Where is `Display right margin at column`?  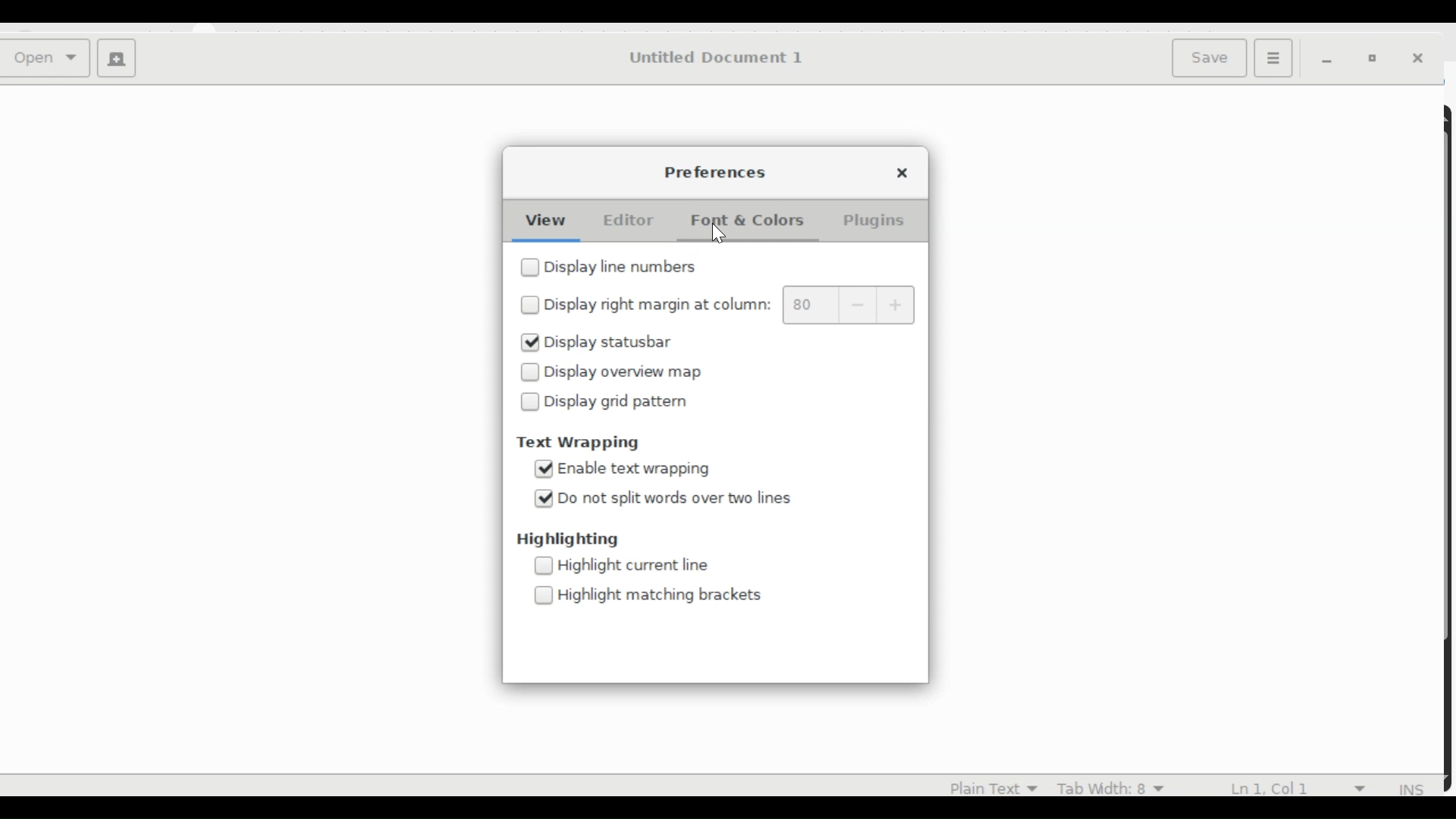 Display right margin at column is located at coordinates (662, 305).